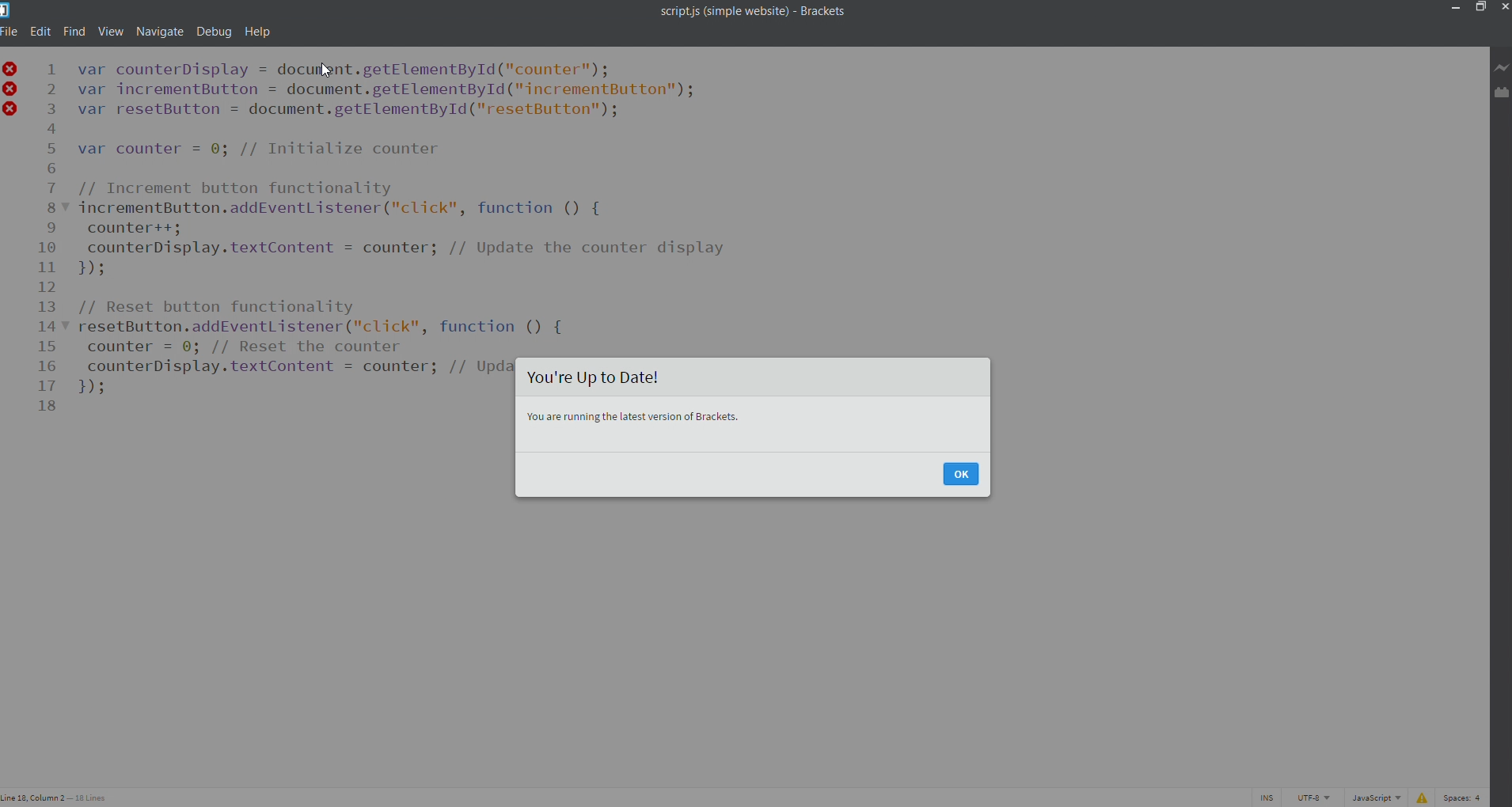  Describe the element at coordinates (1374, 798) in the screenshot. I see `file type` at that location.